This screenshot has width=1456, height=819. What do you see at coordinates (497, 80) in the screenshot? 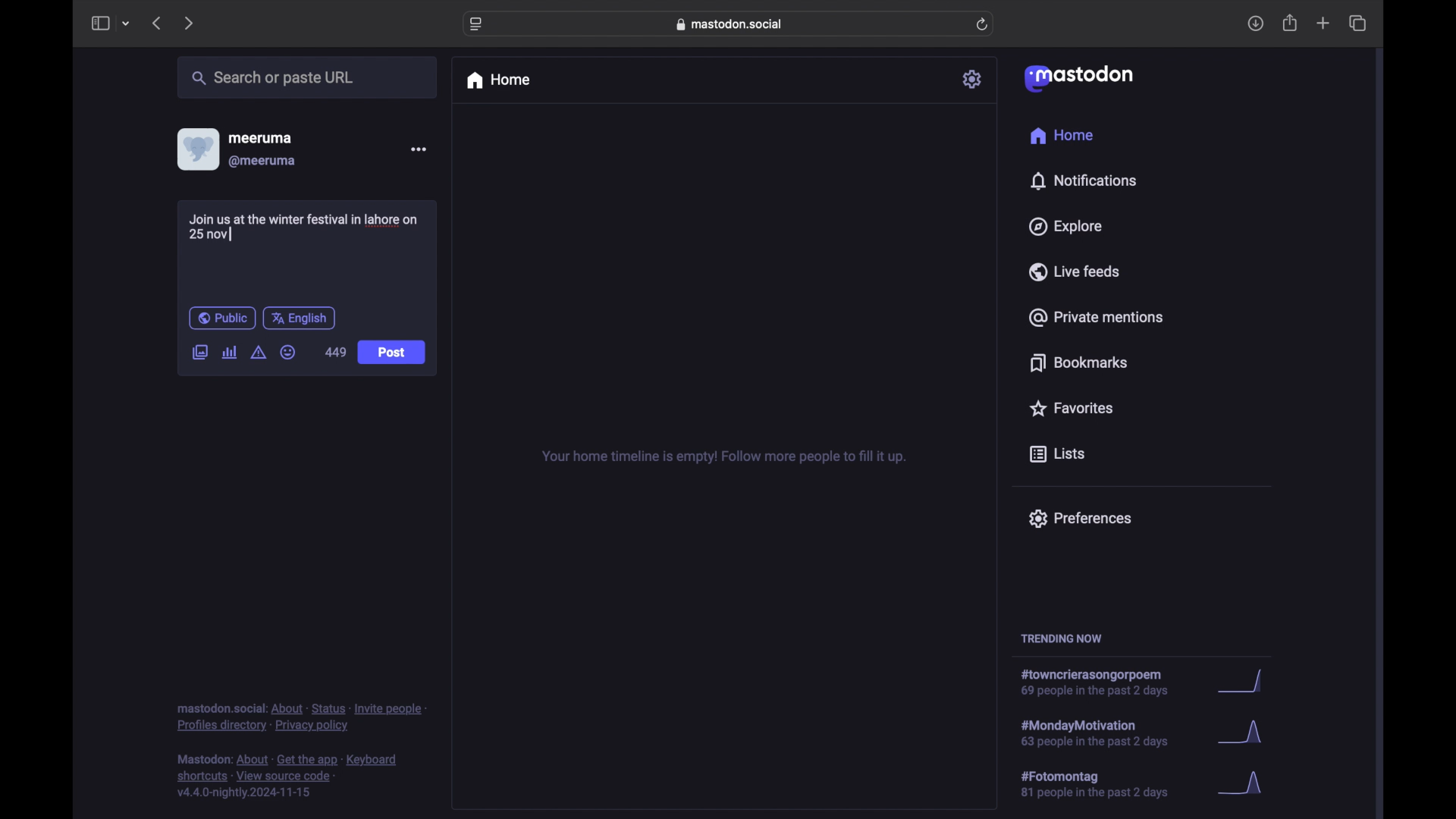
I see `home` at bounding box center [497, 80].